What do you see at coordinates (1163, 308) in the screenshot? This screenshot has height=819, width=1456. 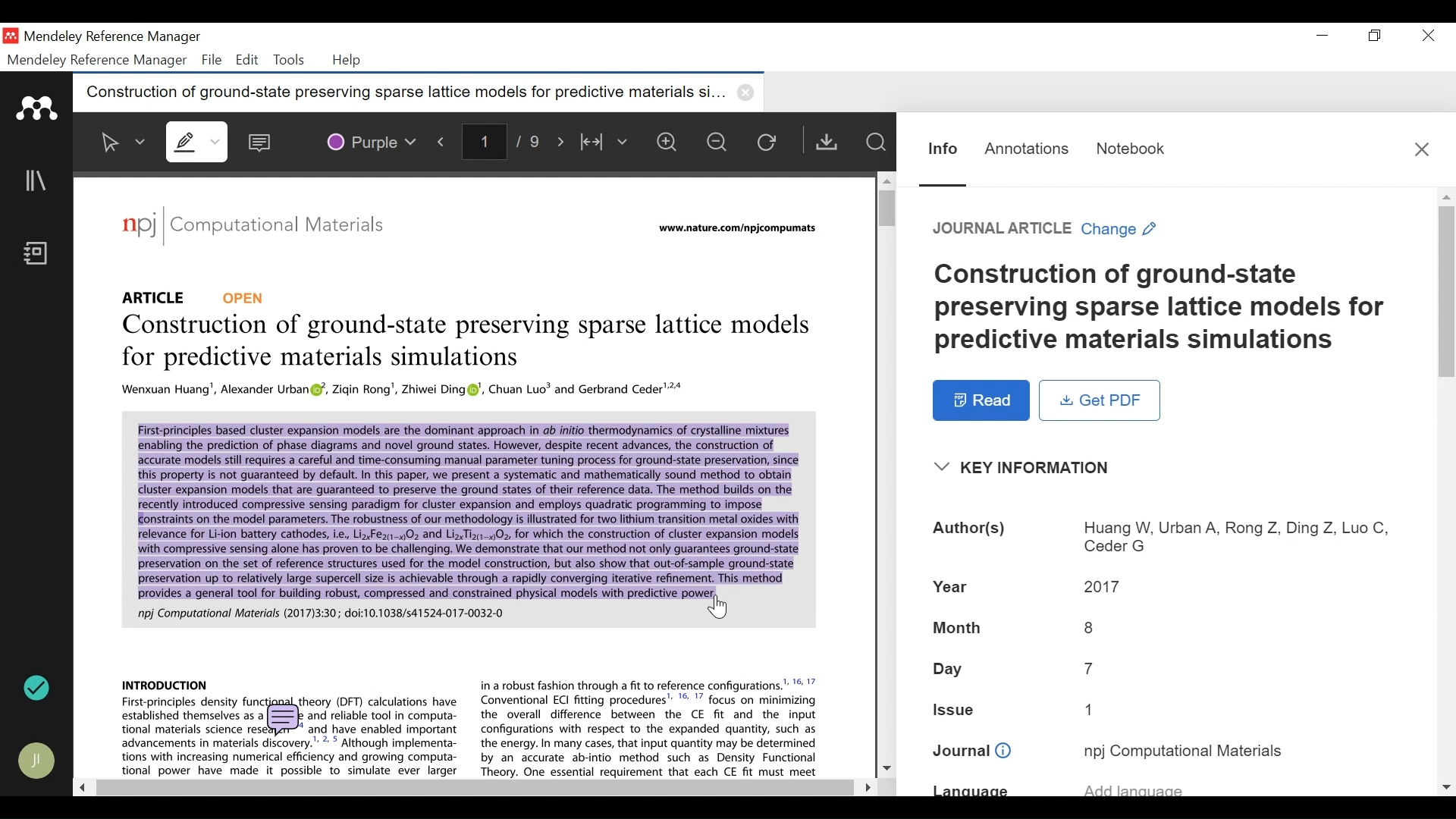 I see `Title` at bounding box center [1163, 308].